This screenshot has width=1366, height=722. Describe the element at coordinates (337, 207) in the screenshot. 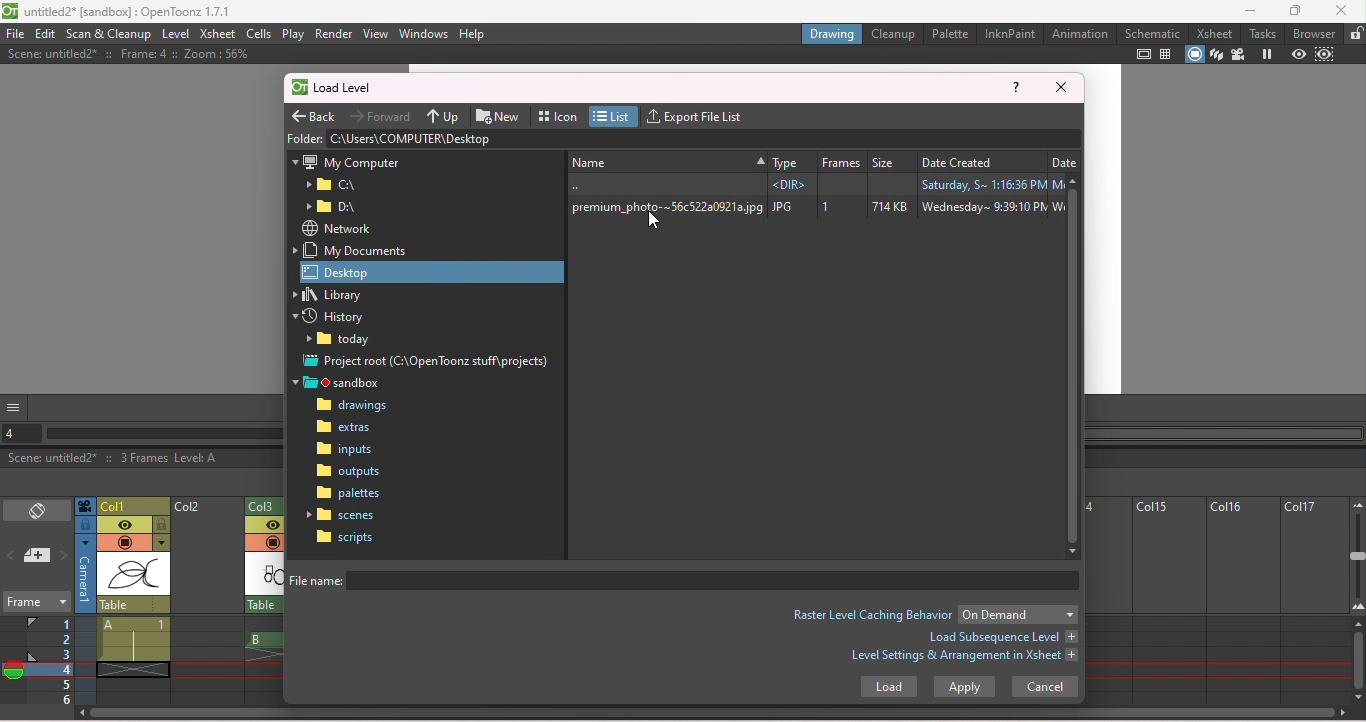

I see `Folder` at that location.